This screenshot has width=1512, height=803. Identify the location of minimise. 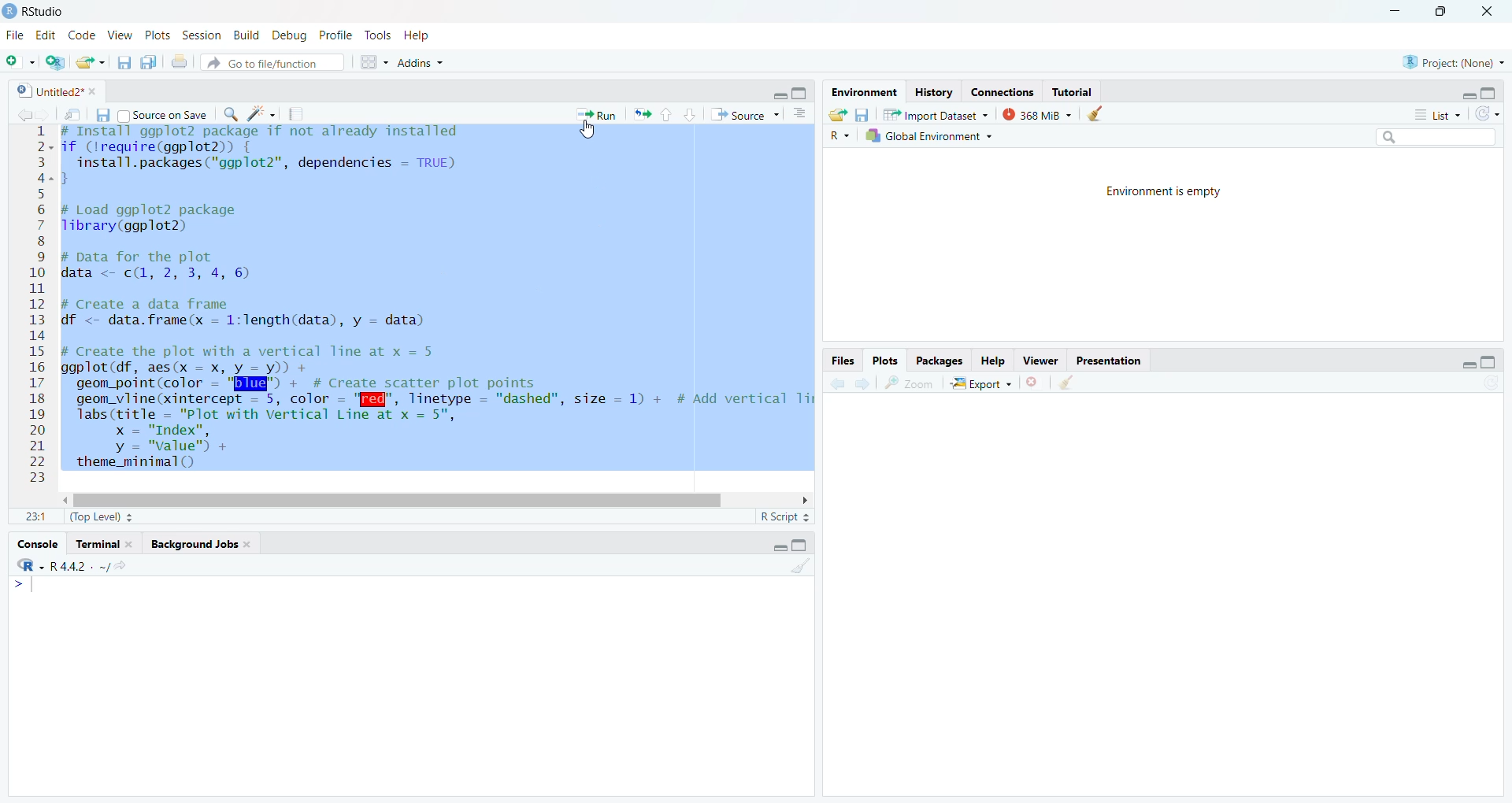
(1395, 6).